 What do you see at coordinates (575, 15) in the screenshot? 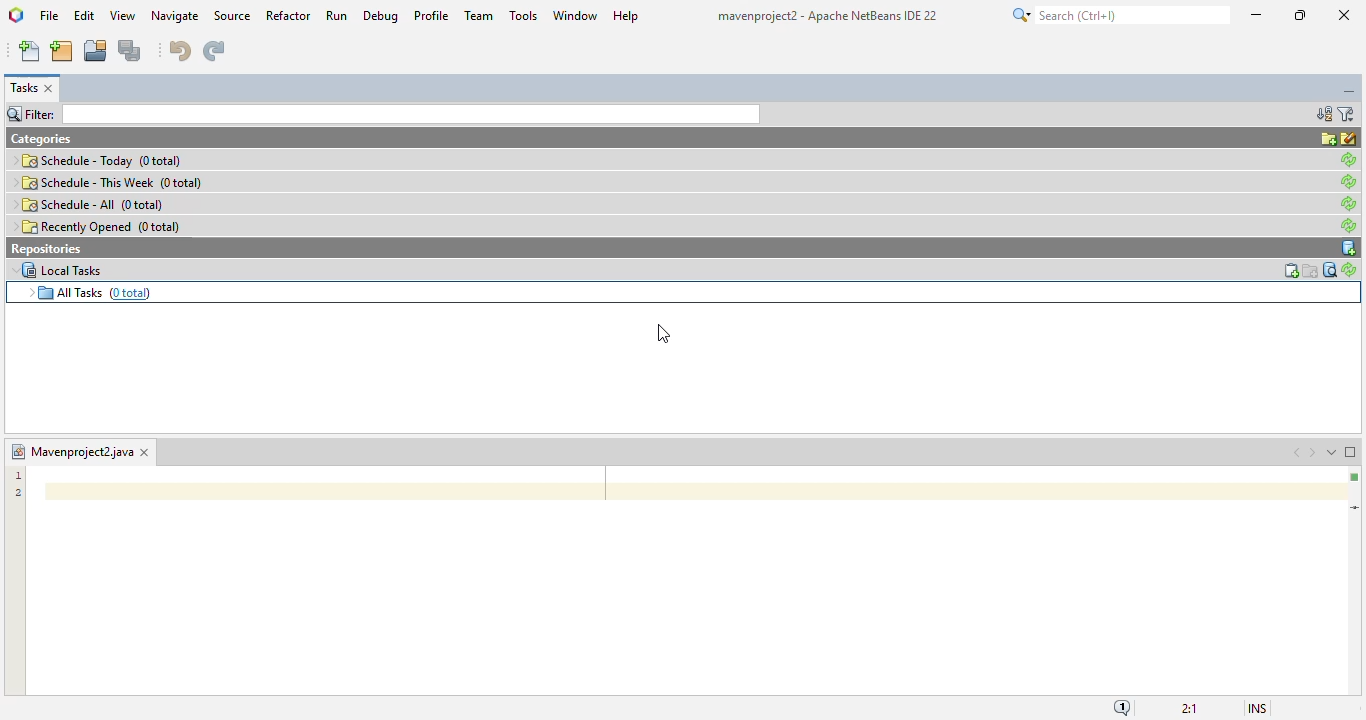
I see `window` at bounding box center [575, 15].